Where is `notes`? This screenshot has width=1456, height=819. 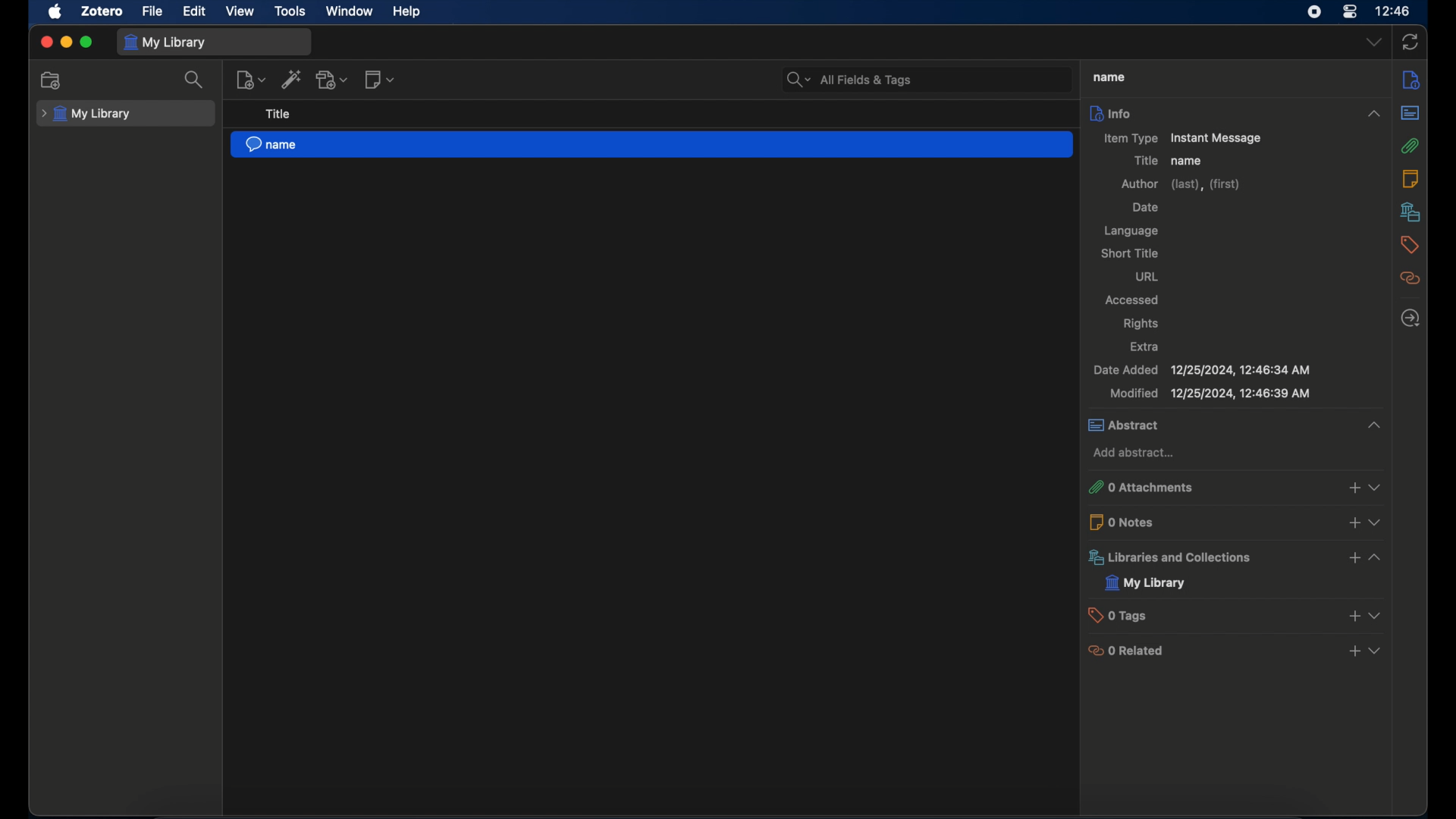
notes is located at coordinates (1411, 178).